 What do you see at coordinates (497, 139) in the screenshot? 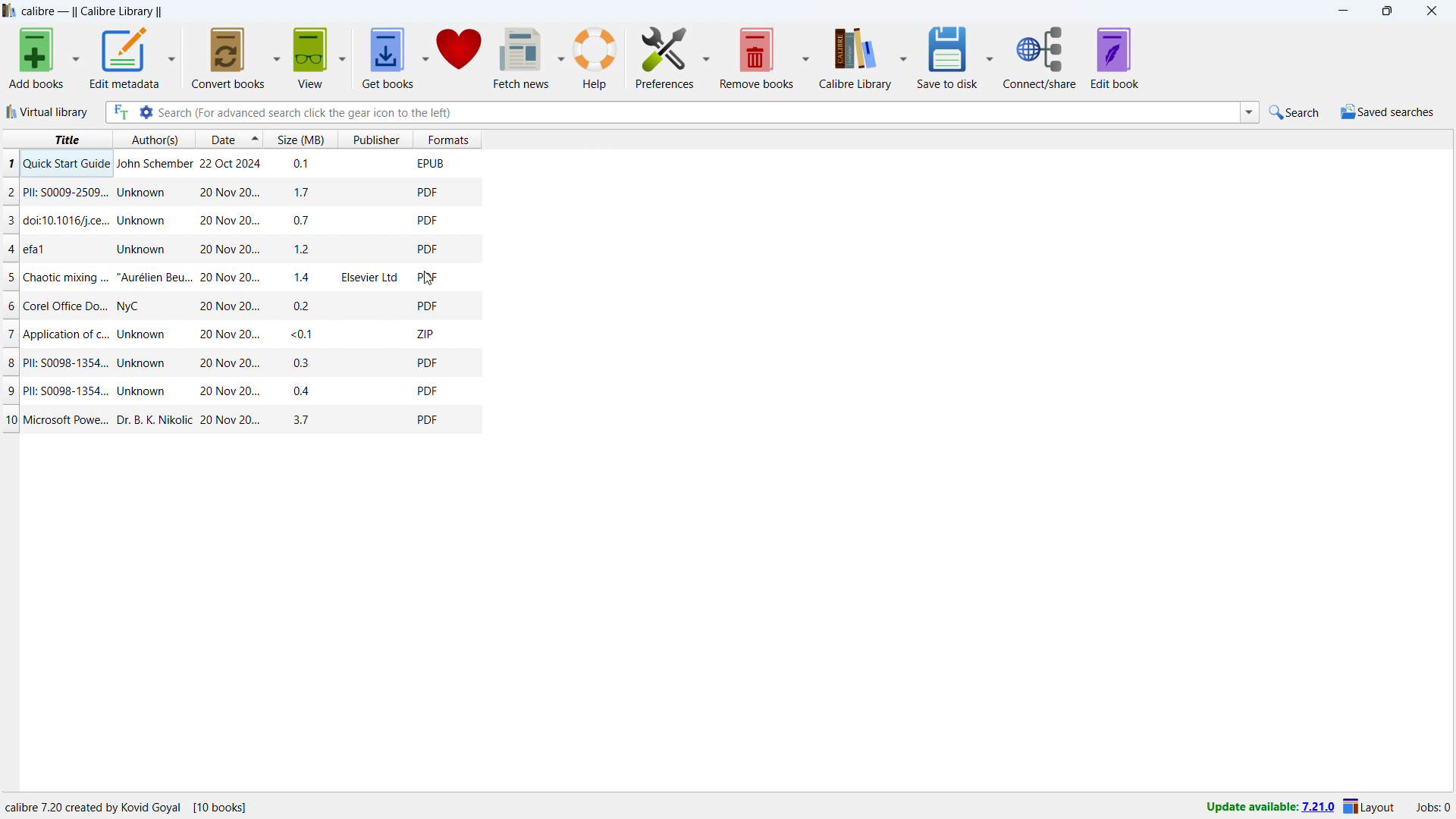
I see `sort by formats` at bounding box center [497, 139].